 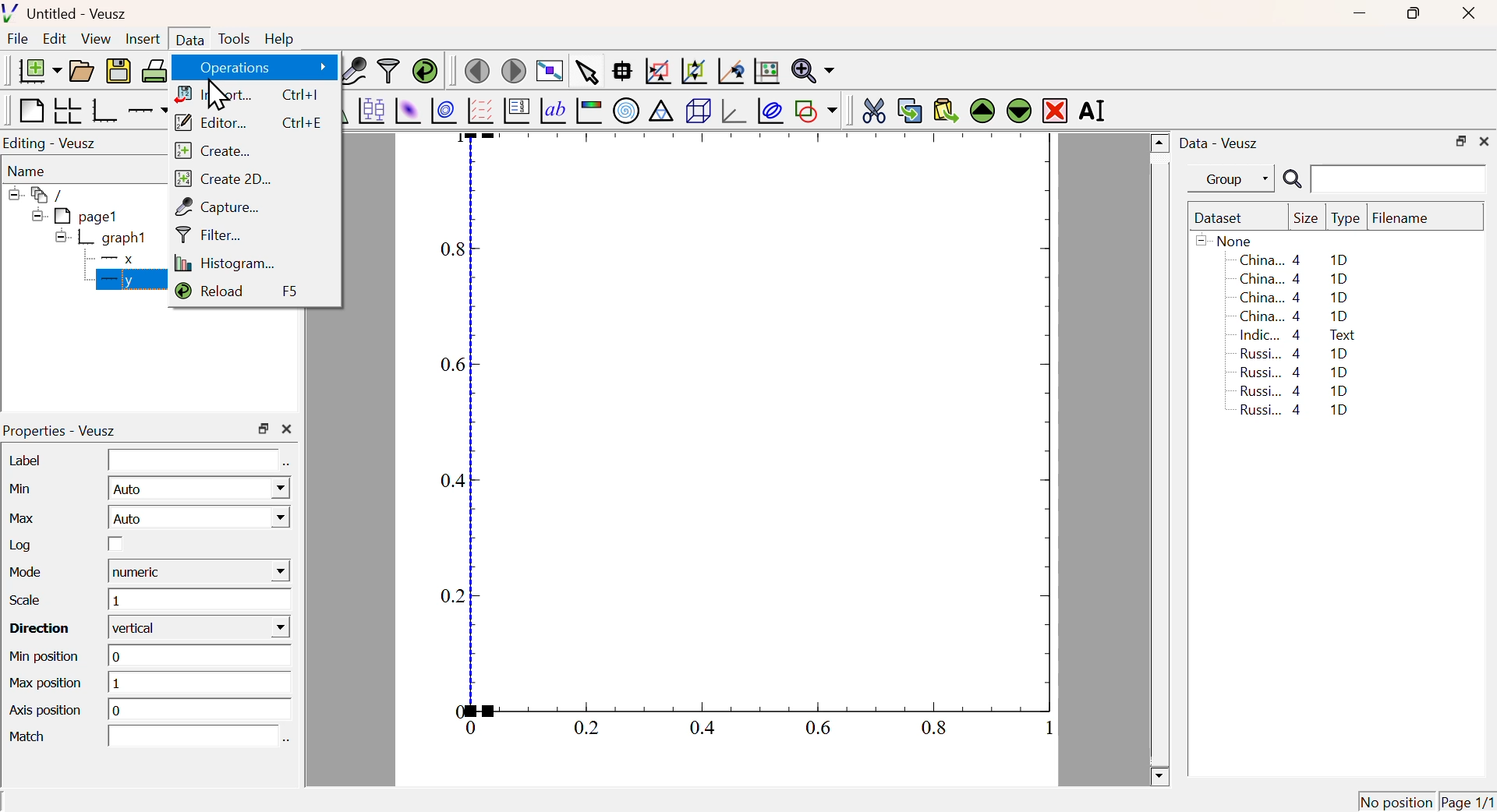 What do you see at coordinates (103, 110) in the screenshot?
I see `Base Graph` at bounding box center [103, 110].